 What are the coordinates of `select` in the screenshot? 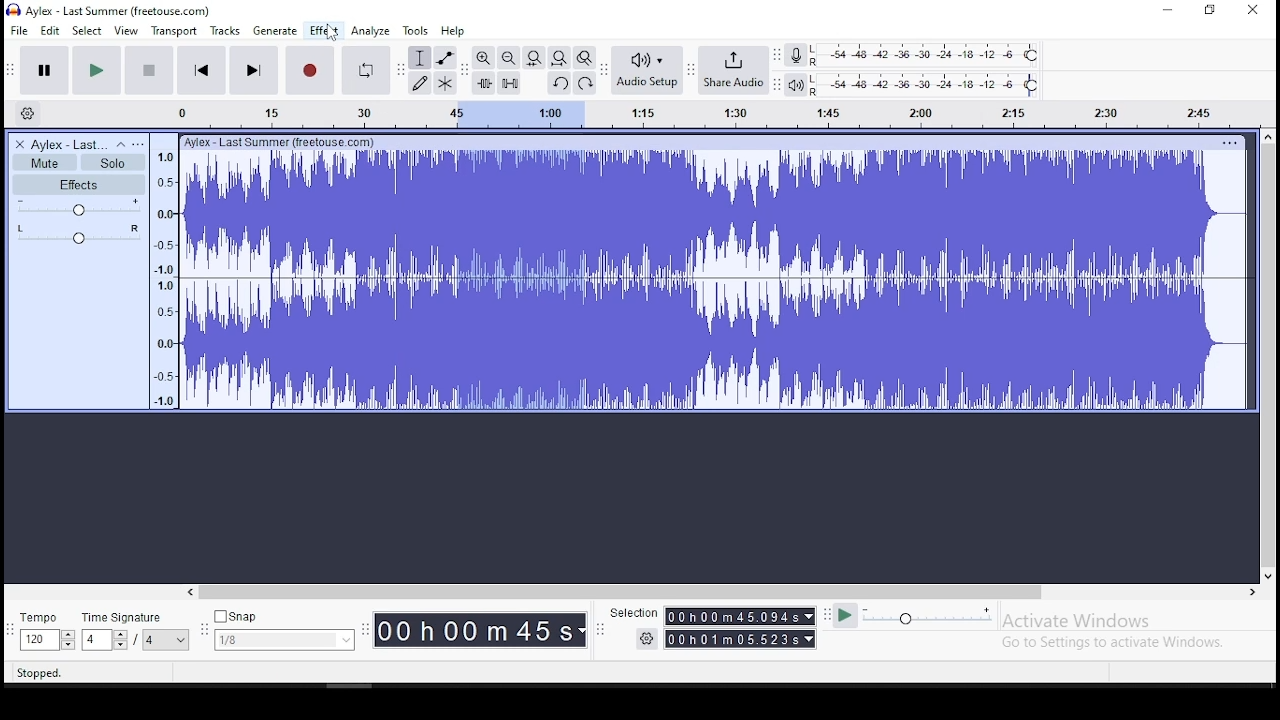 It's located at (88, 31).